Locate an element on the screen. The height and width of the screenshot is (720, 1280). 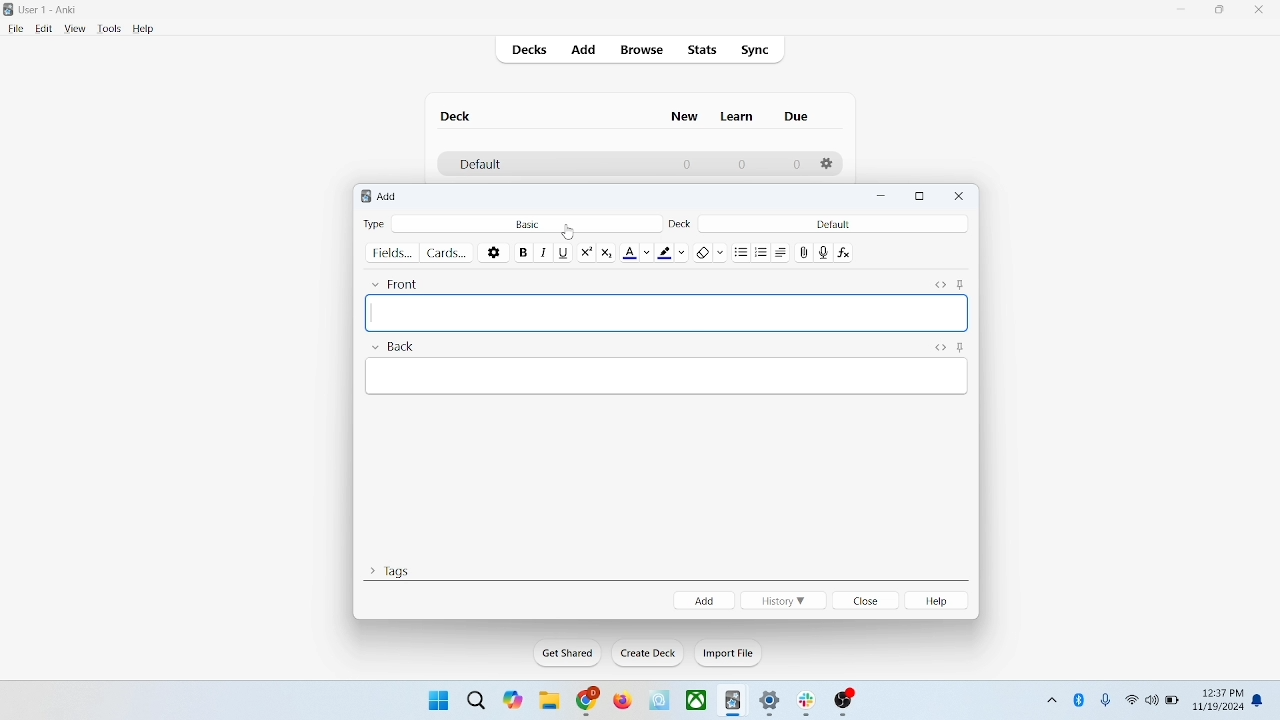
front is located at coordinates (399, 283).